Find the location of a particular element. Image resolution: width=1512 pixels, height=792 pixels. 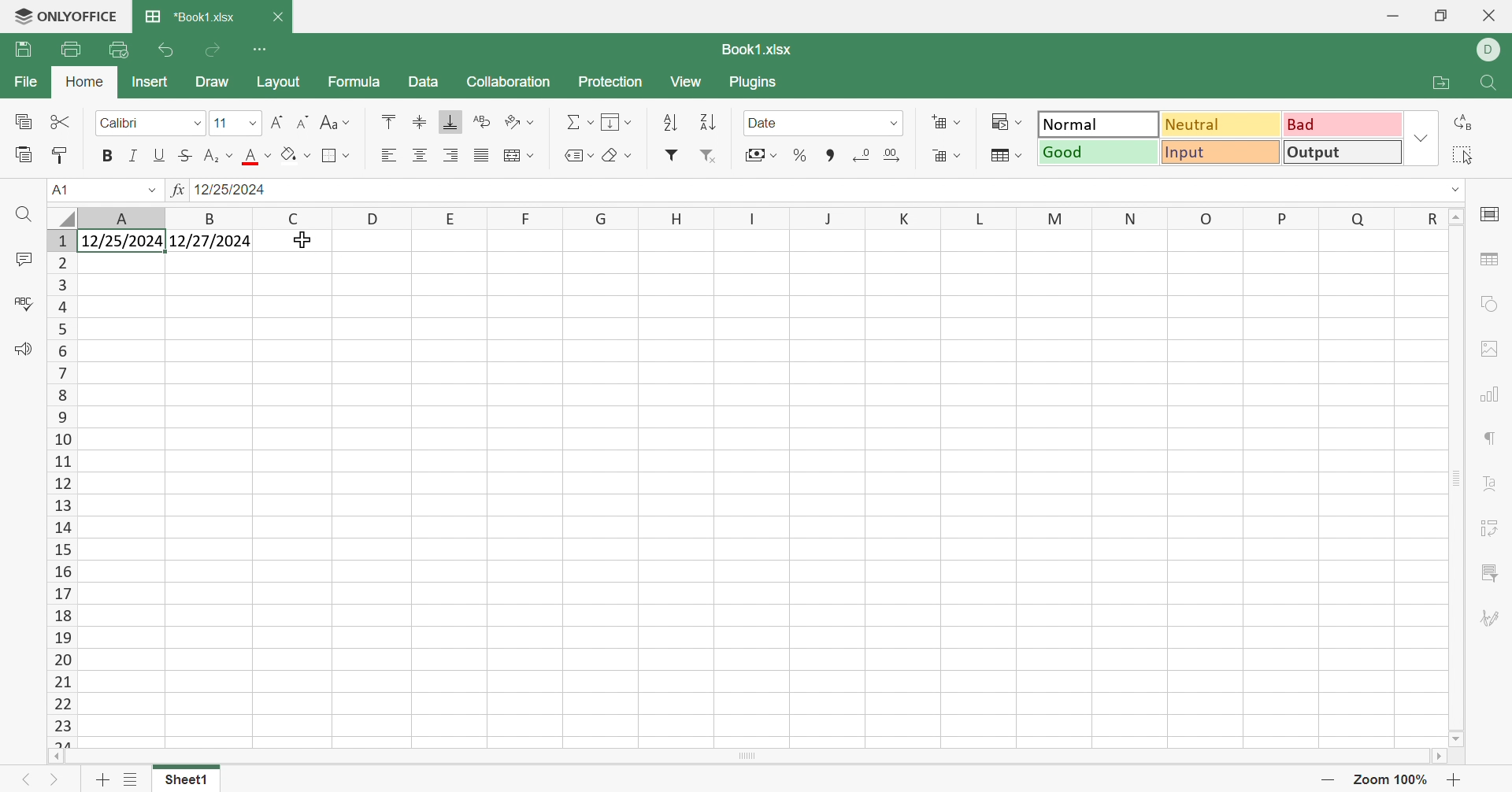

Neutral is located at coordinates (1222, 124).